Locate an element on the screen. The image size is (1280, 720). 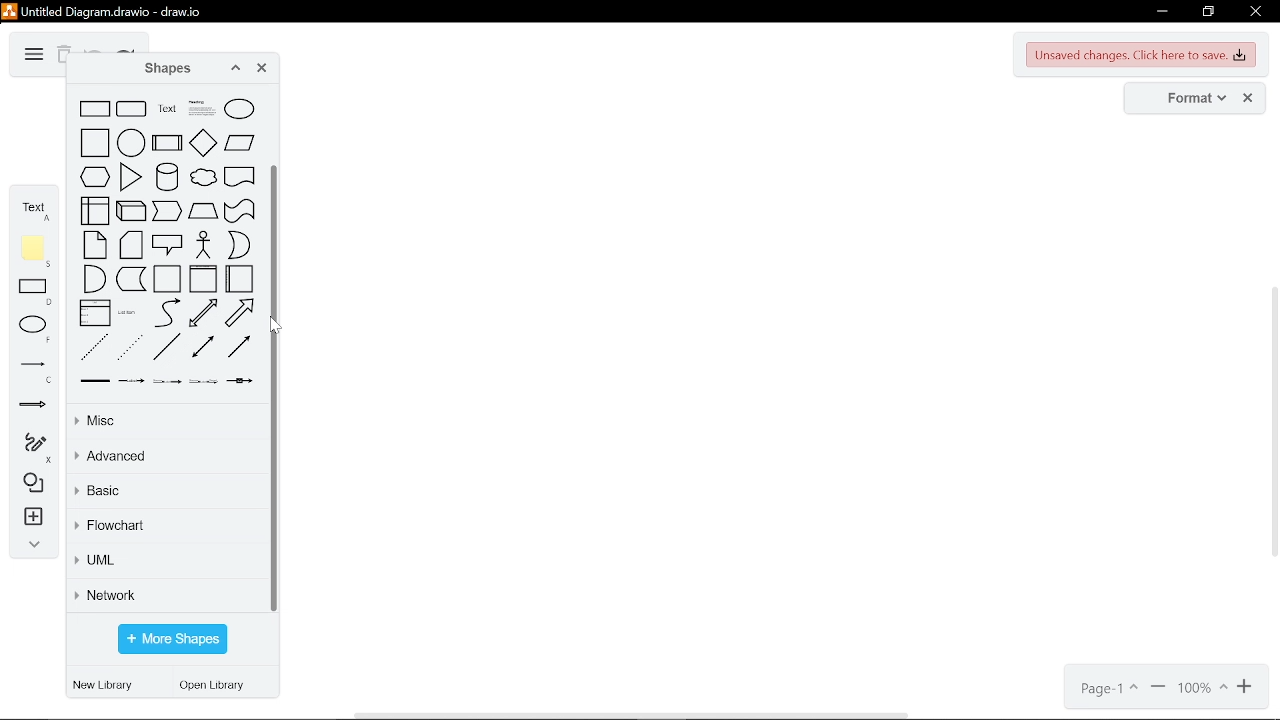
Basic is located at coordinates (165, 494).